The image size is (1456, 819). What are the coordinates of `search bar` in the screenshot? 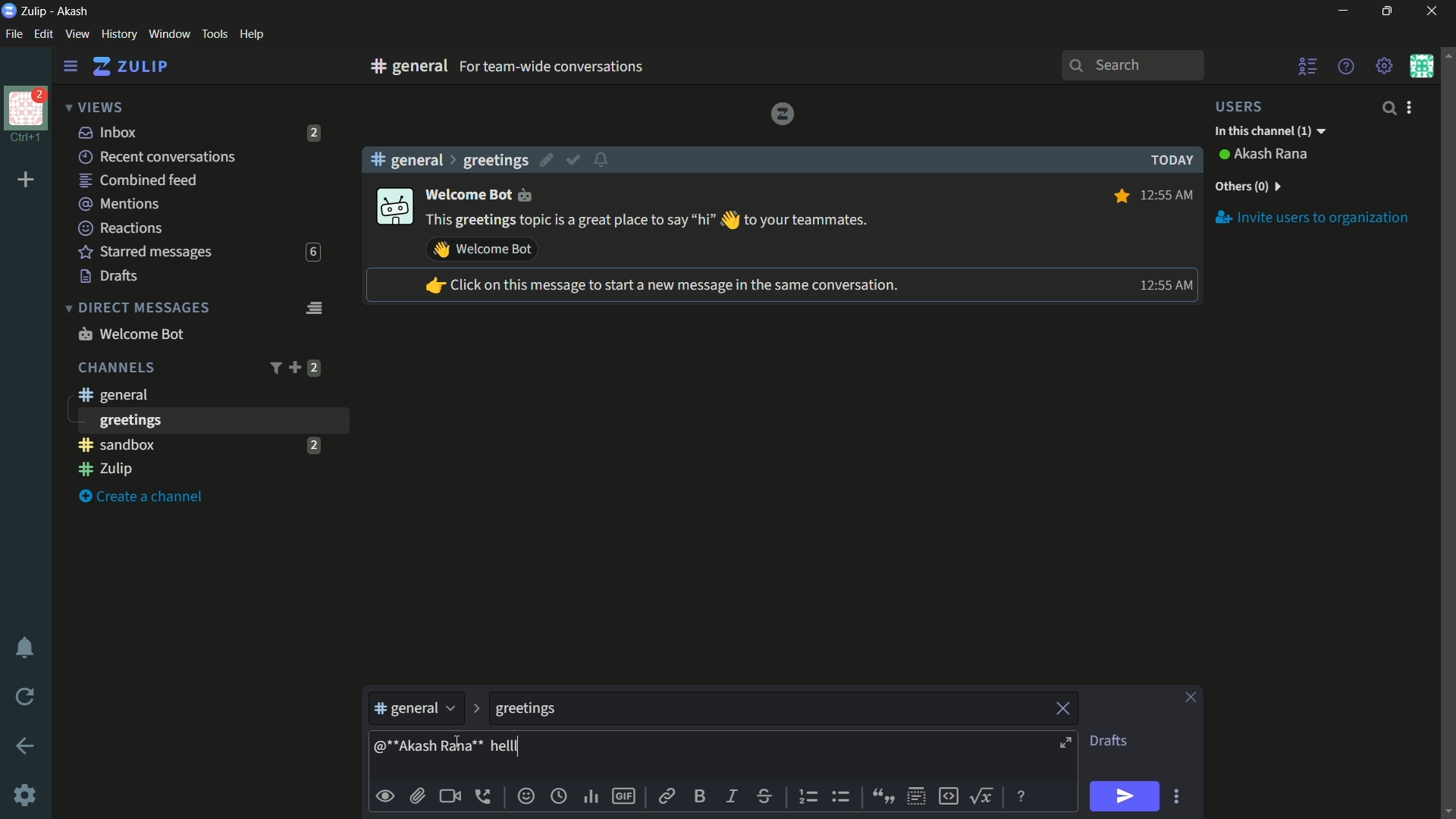 It's located at (1132, 65).